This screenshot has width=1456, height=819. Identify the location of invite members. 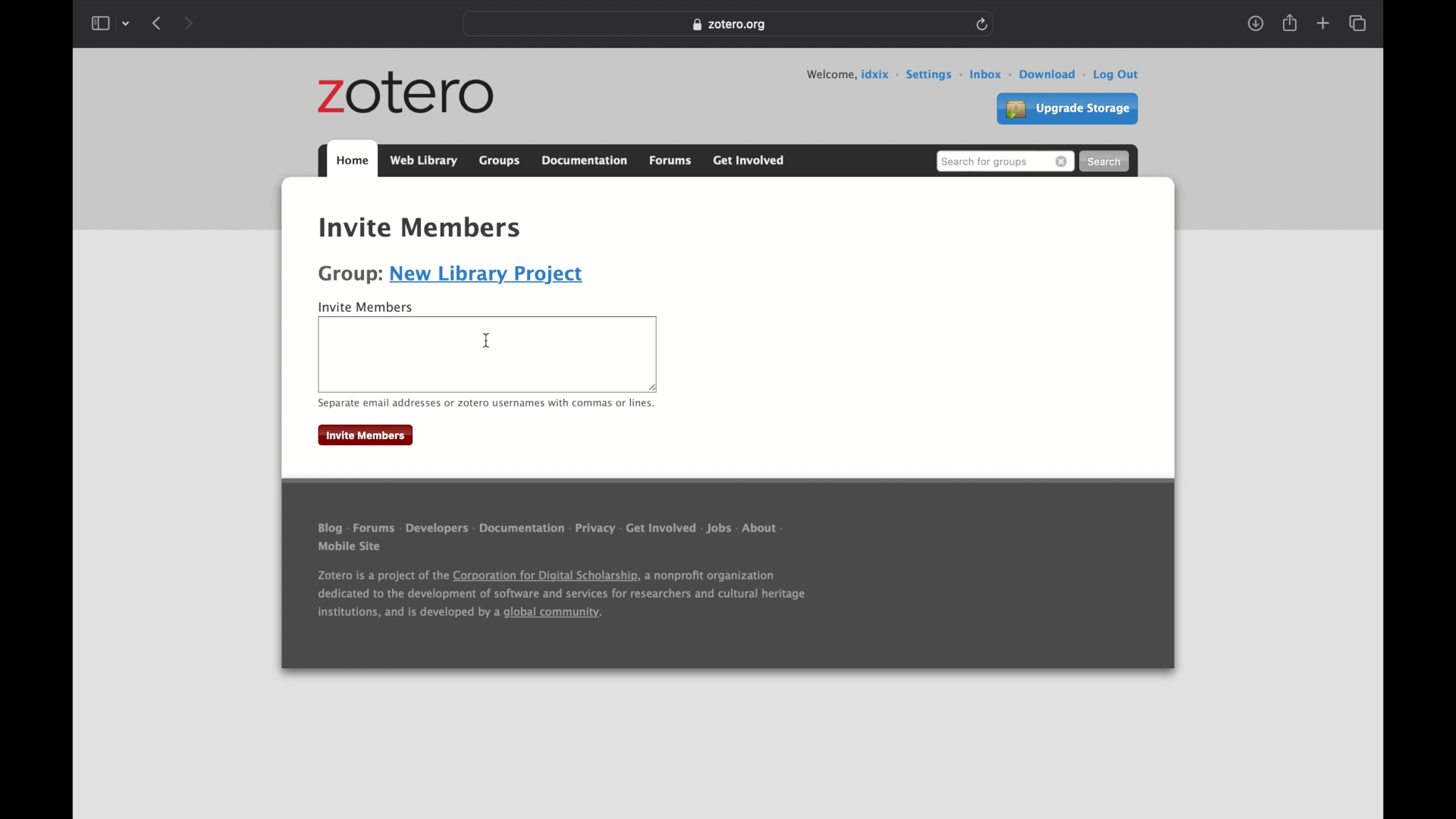
(365, 435).